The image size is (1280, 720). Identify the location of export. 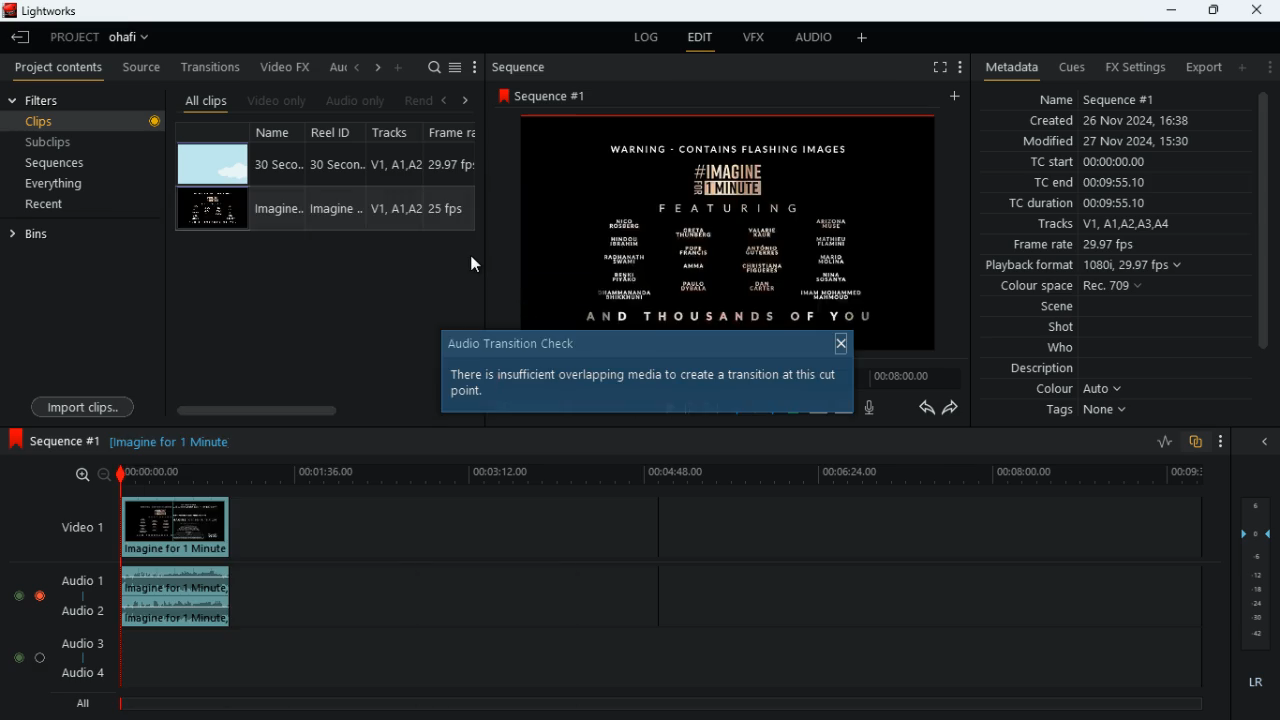
(1198, 68).